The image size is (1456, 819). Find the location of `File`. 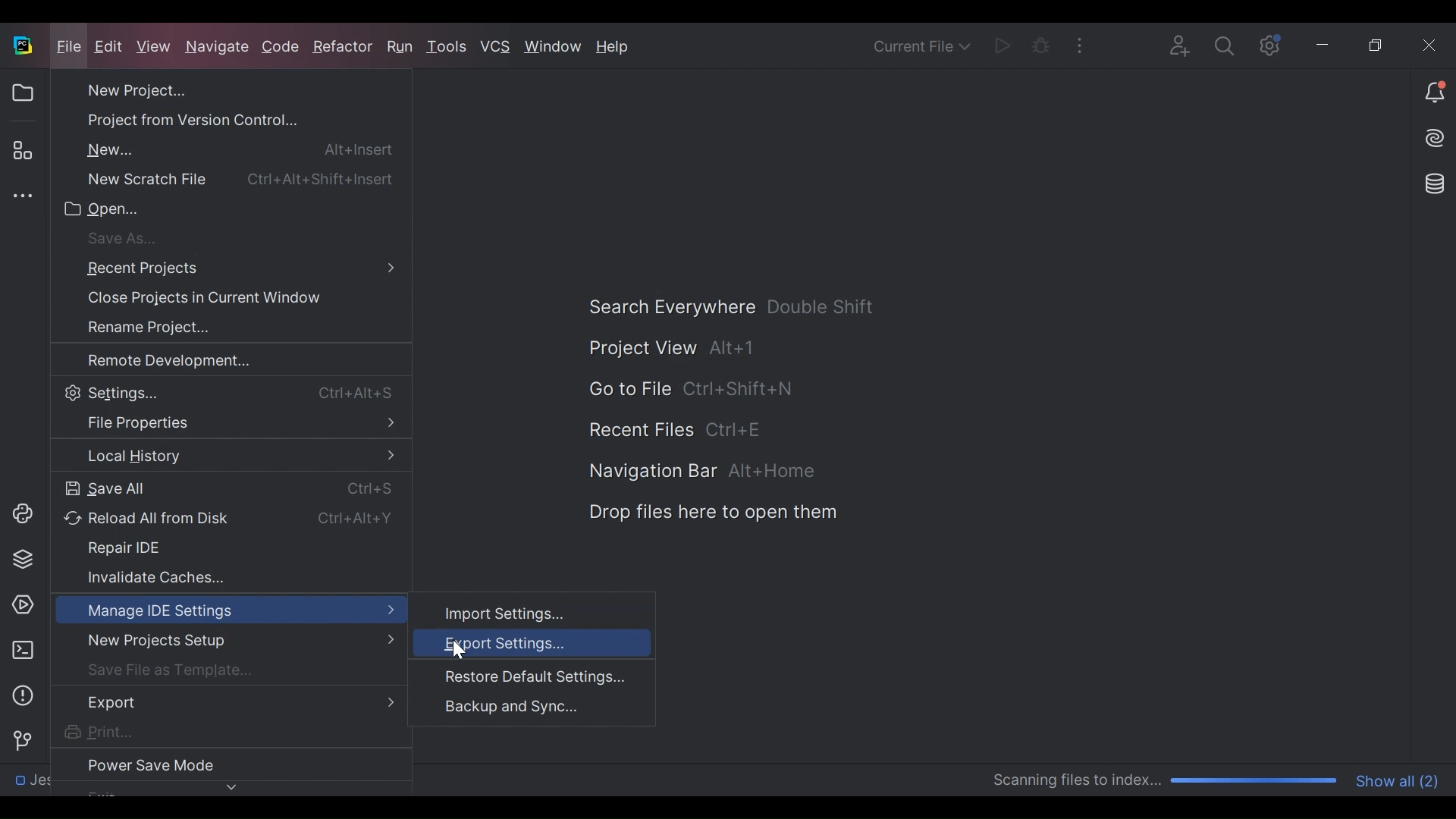

File is located at coordinates (69, 46).